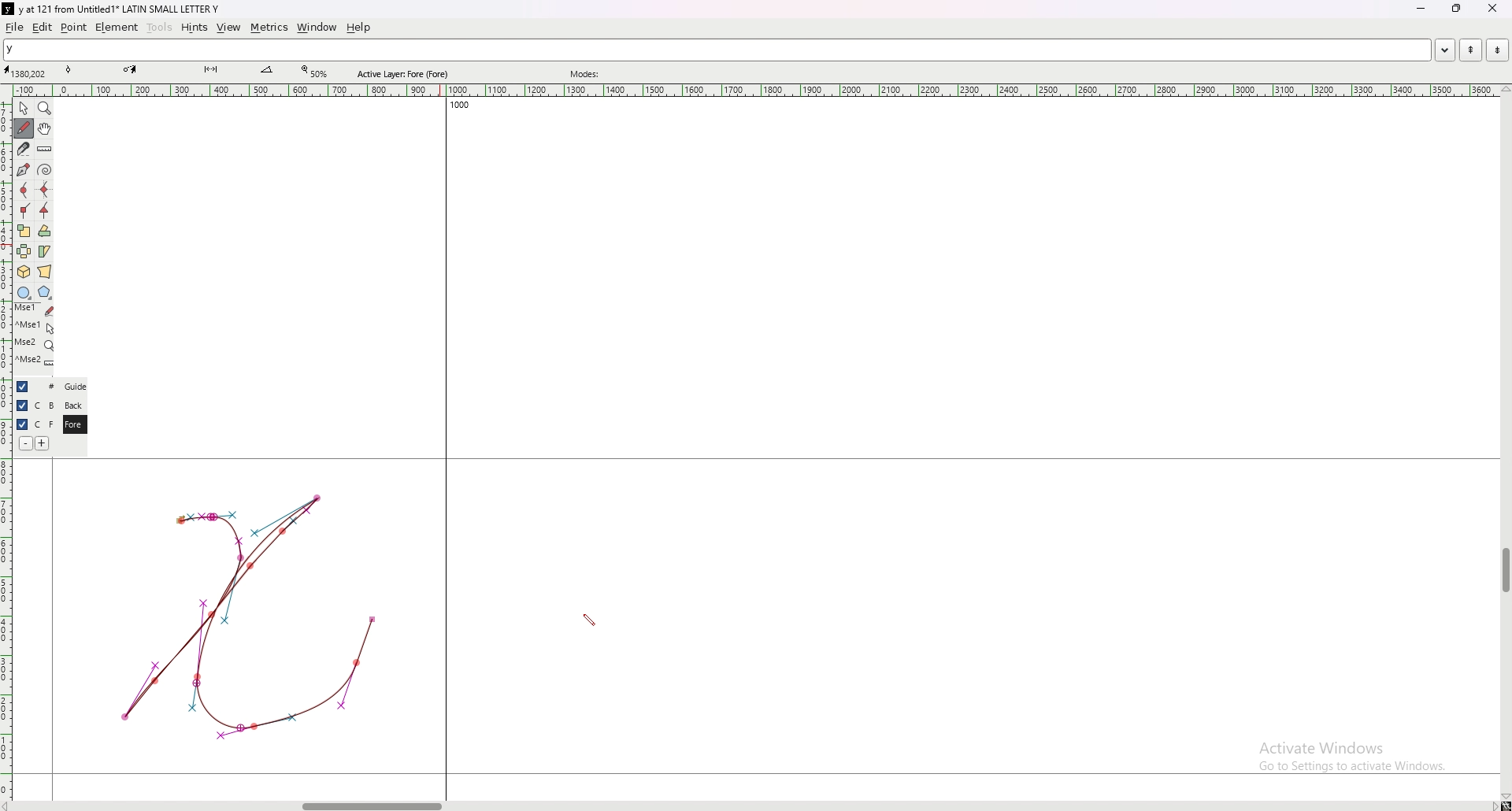 The image size is (1512, 811). What do you see at coordinates (69, 69) in the screenshot?
I see `point tool` at bounding box center [69, 69].